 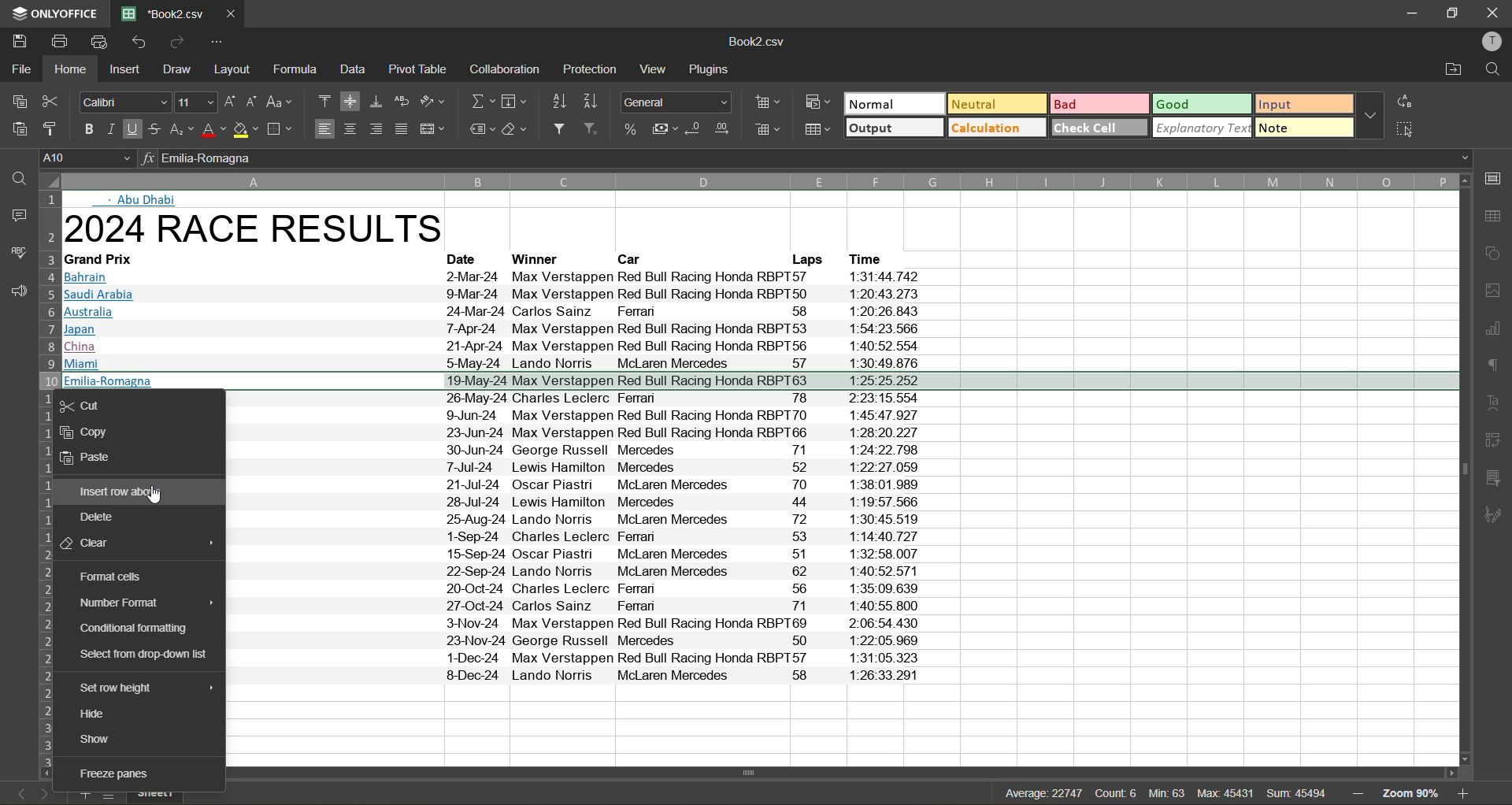 I want to click on Grand Prix, so click(x=115, y=258).